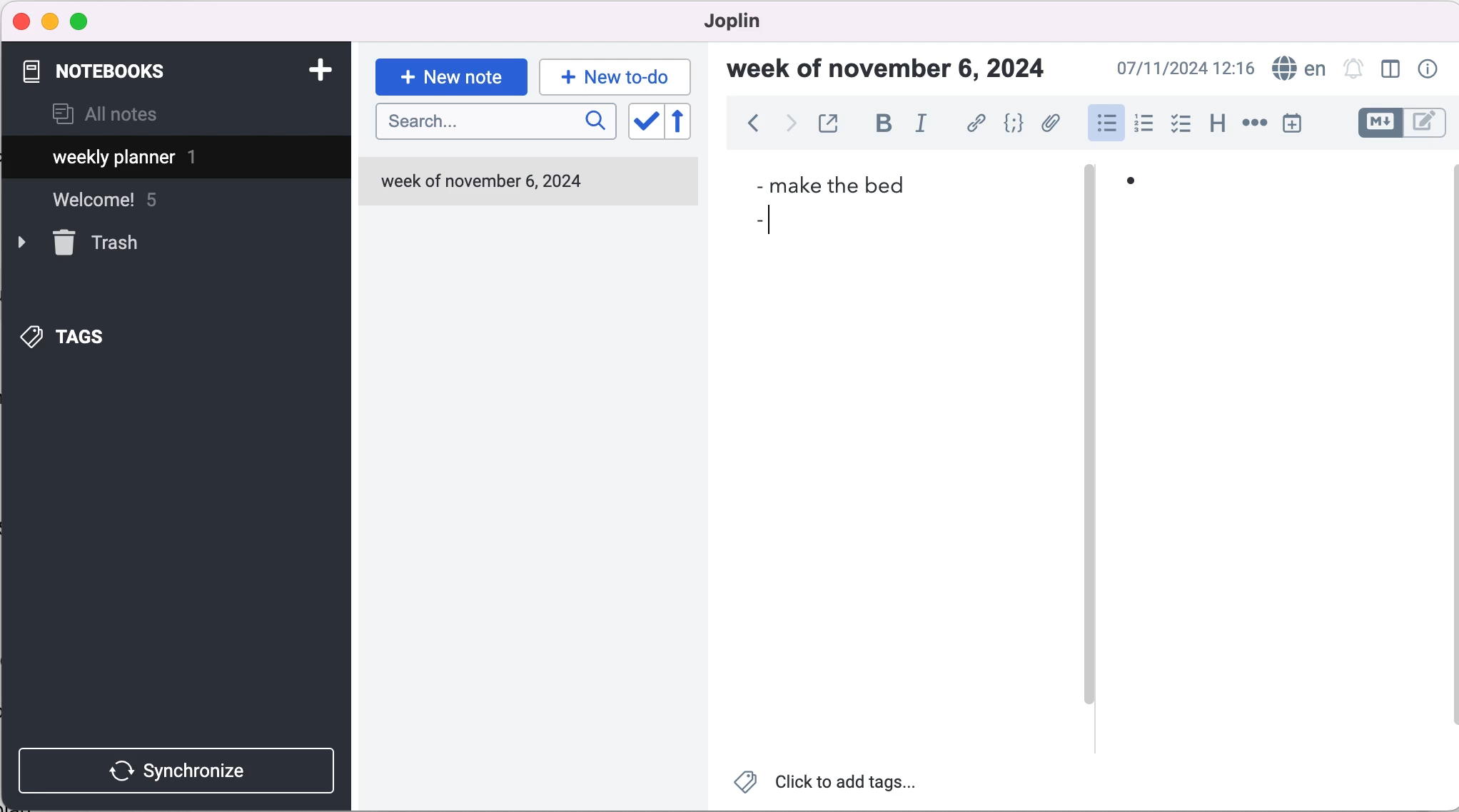 The image size is (1459, 812). Describe the element at coordinates (977, 126) in the screenshot. I see `hyperlink` at that location.